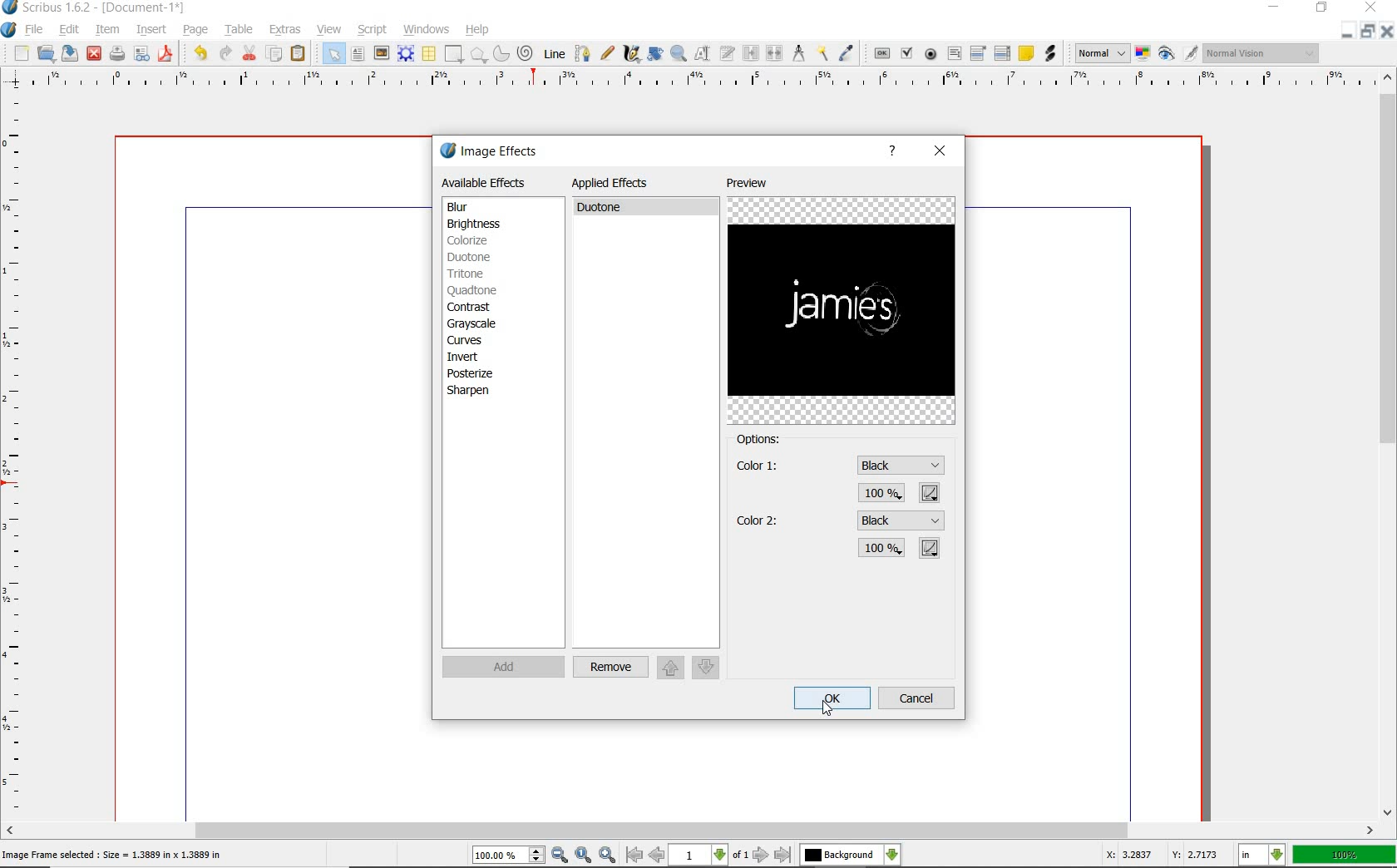  I want to click on page, so click(195, 30).